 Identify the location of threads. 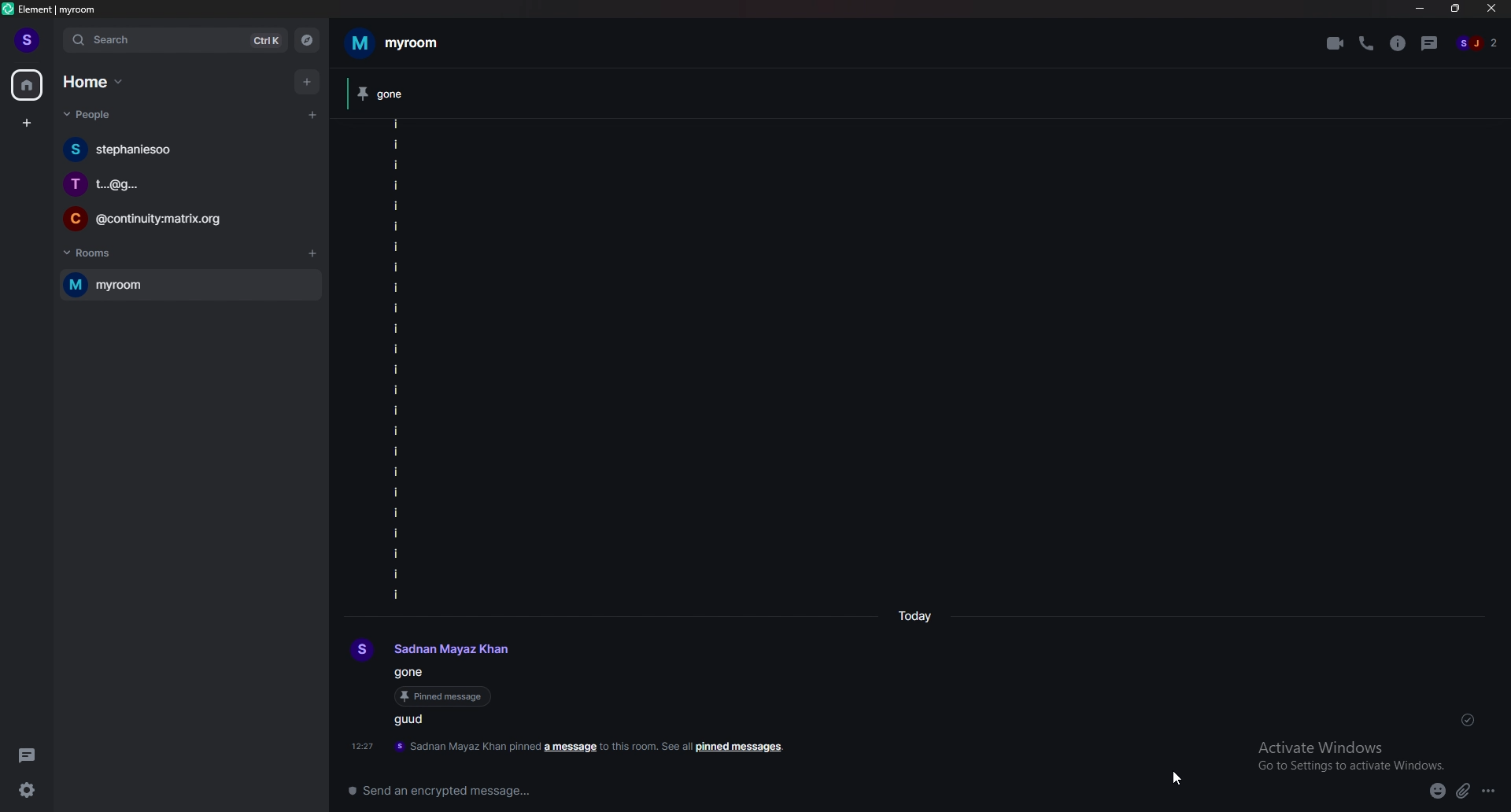
(28, 754).